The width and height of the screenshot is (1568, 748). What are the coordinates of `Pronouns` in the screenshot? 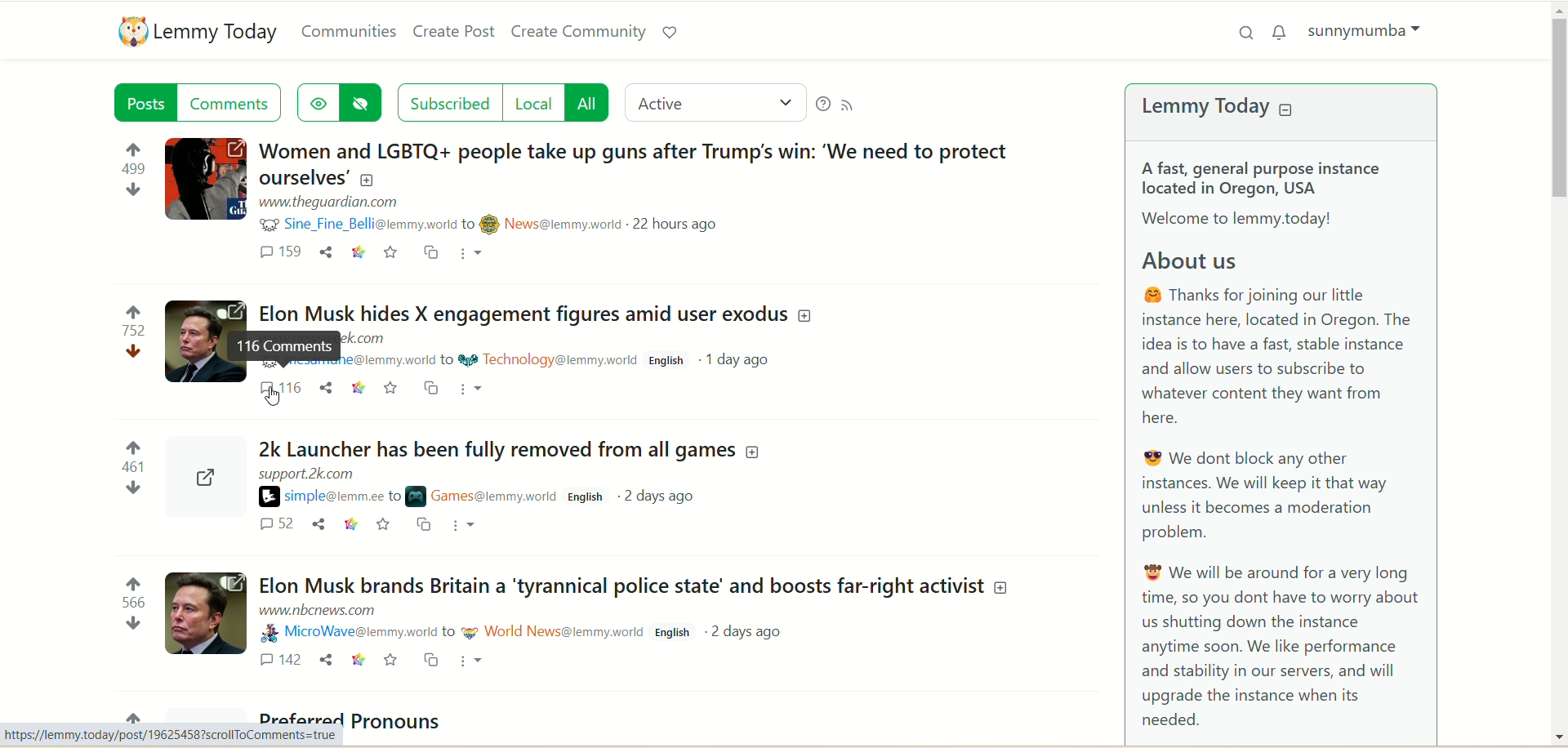 It's located at (400, 721).